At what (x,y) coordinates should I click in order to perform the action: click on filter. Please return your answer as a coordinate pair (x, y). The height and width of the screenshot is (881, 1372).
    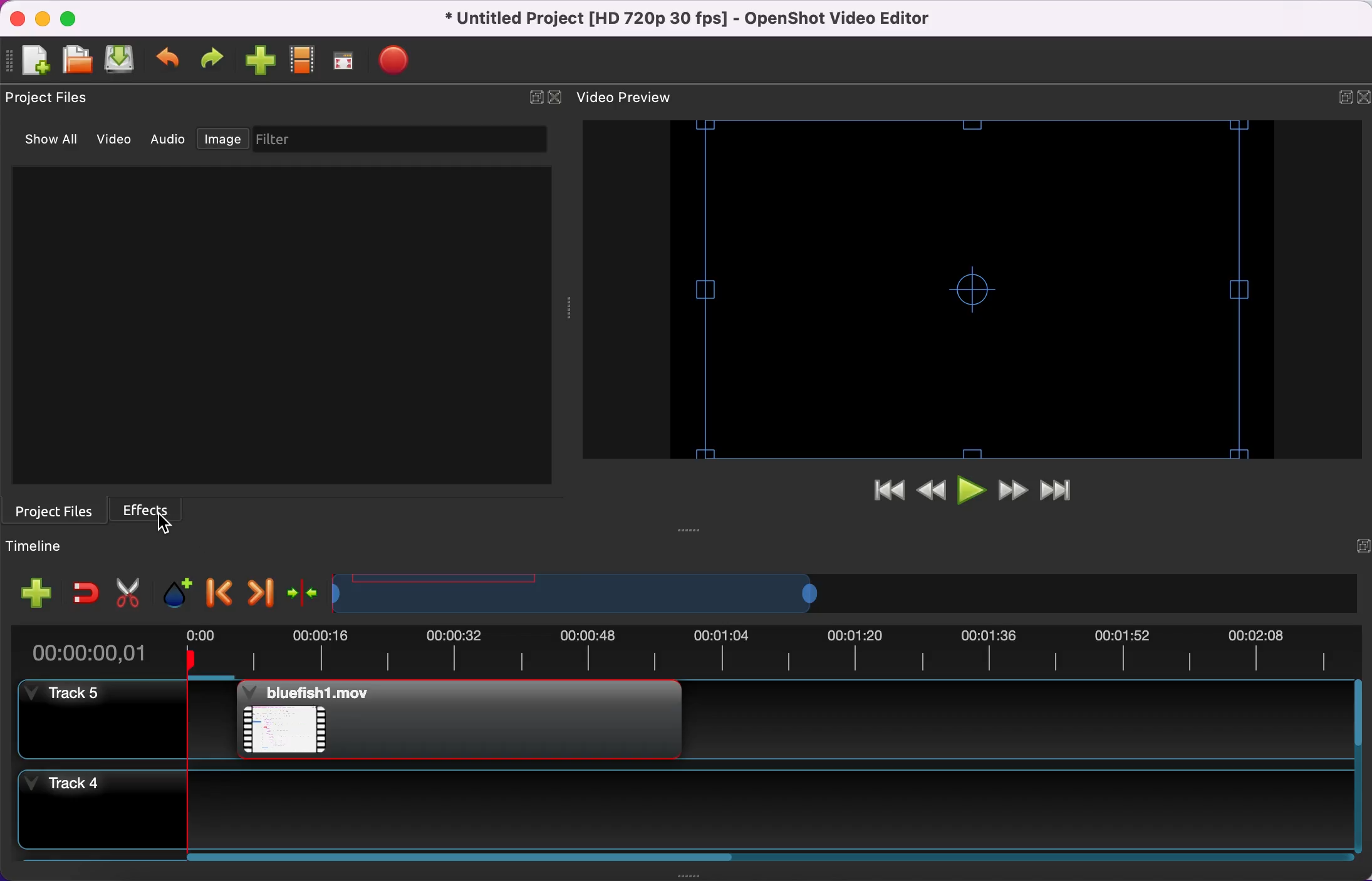
    Looking at the image, I should click on (404, 140).